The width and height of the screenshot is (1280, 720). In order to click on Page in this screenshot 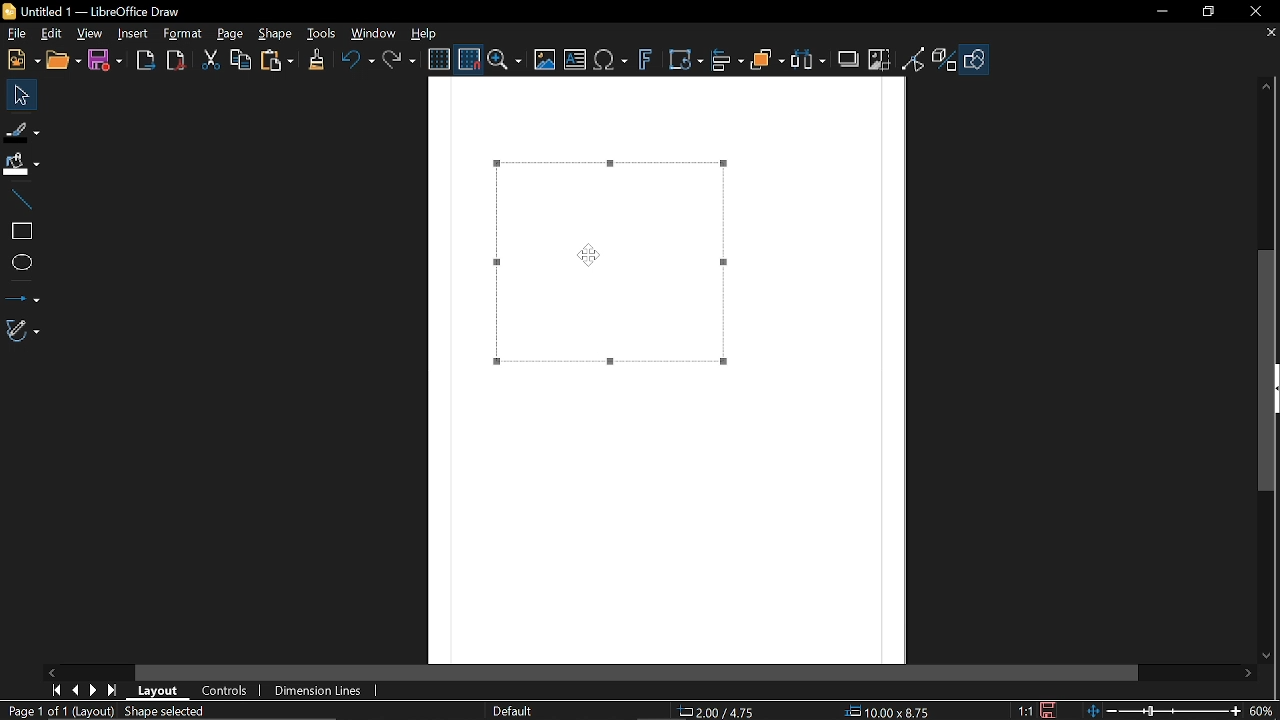, I will do `click(230, 35)`.